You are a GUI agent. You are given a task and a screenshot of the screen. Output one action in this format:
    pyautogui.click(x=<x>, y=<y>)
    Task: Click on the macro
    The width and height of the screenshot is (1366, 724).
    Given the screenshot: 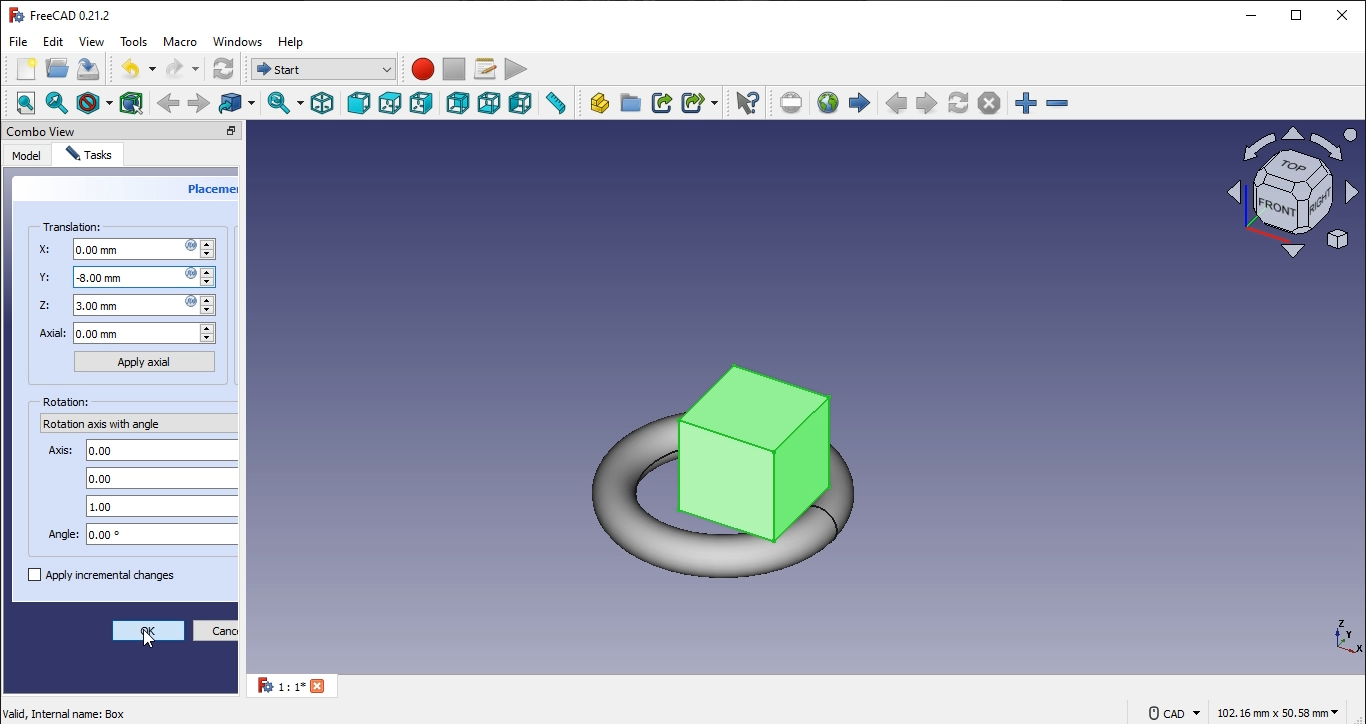 What is the action you would take?
    pyautogui.click(x=181, y=44)
    